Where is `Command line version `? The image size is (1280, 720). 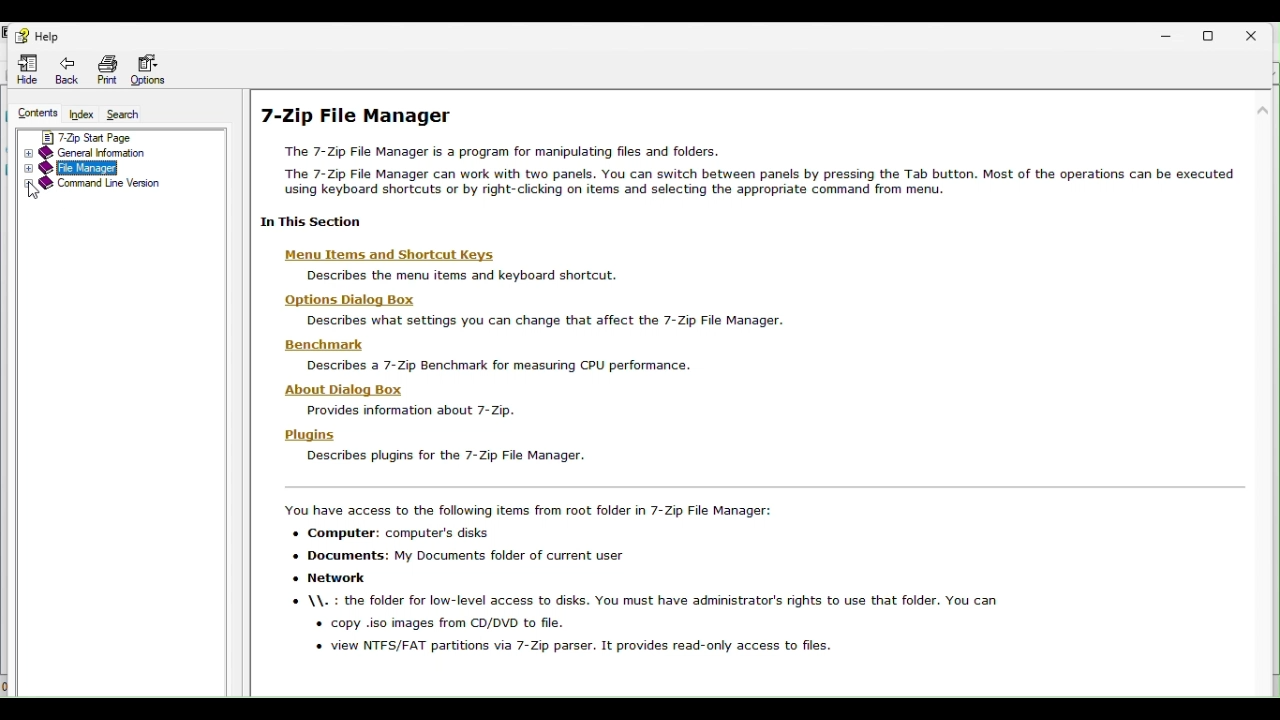
Command line version  is located at coordinates (103, 187).